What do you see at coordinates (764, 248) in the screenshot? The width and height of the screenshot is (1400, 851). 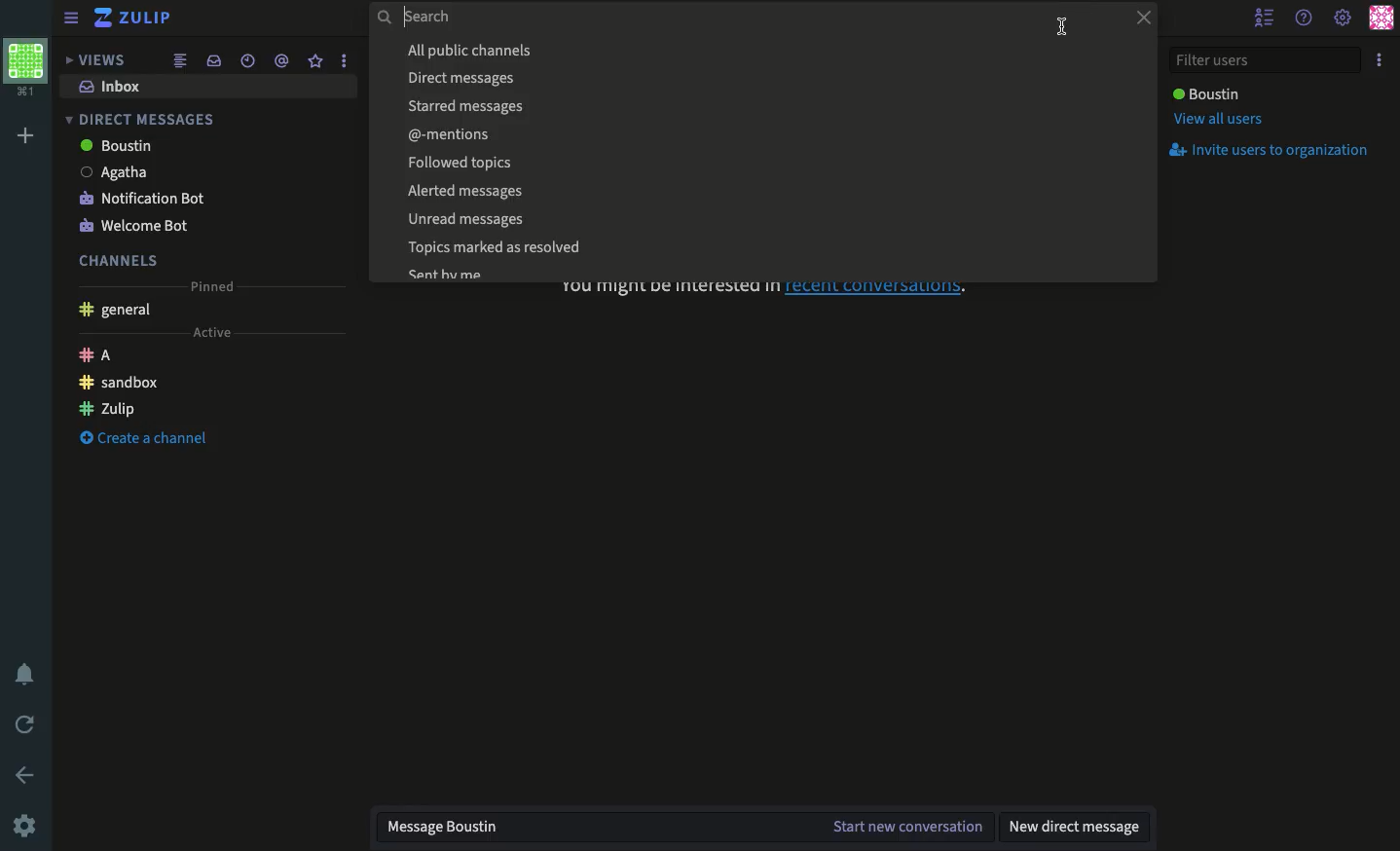 I see `Topics marked as resolved` at bounding box center [764, 248].